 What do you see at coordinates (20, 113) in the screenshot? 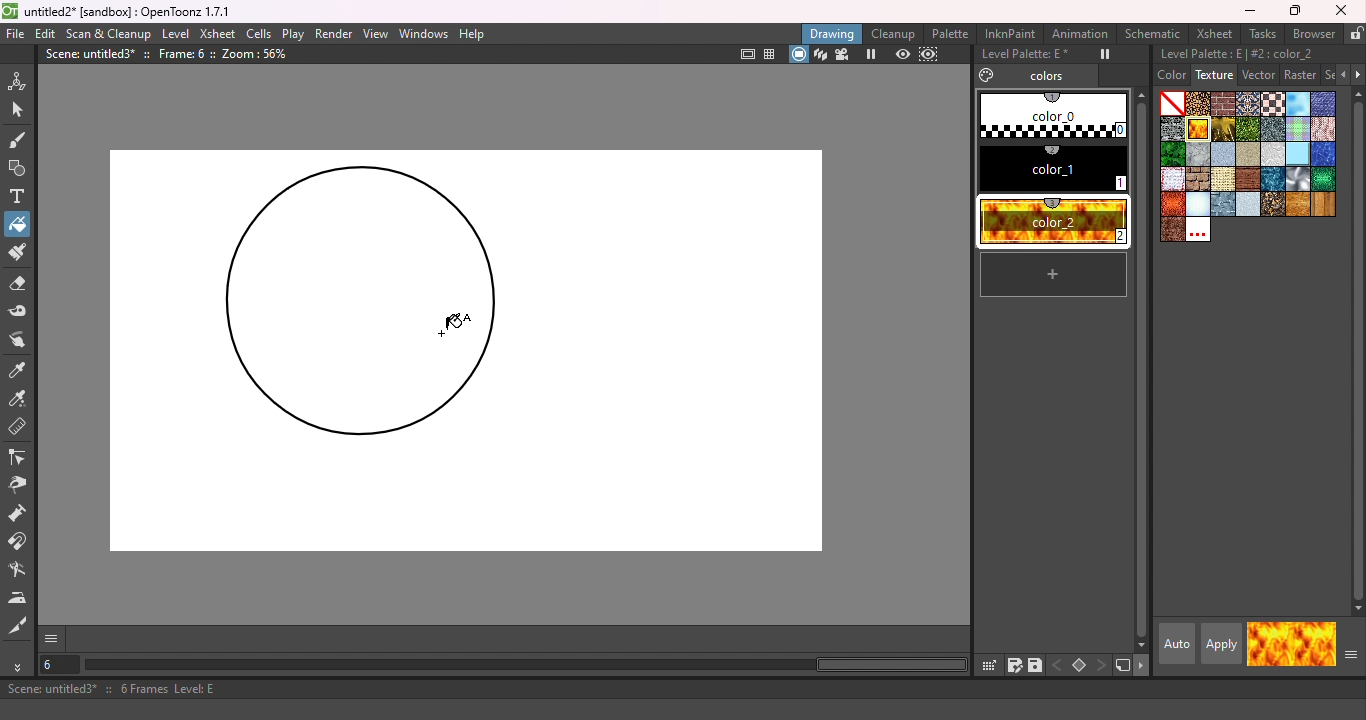
I see `Selection tool` at bounding box center [20, 113].